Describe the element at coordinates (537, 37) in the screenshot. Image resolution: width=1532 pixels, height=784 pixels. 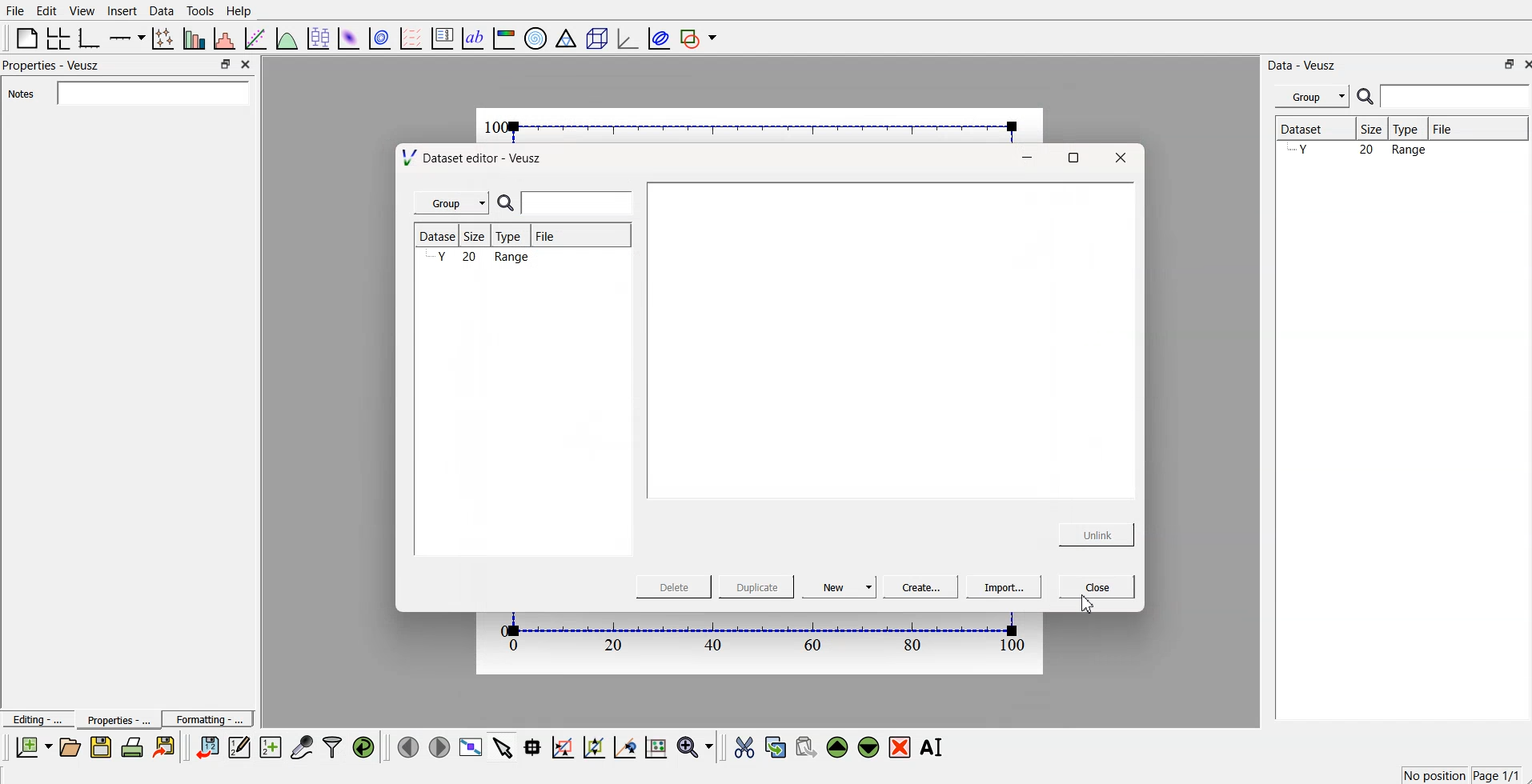
I see `polar graph` at that location.